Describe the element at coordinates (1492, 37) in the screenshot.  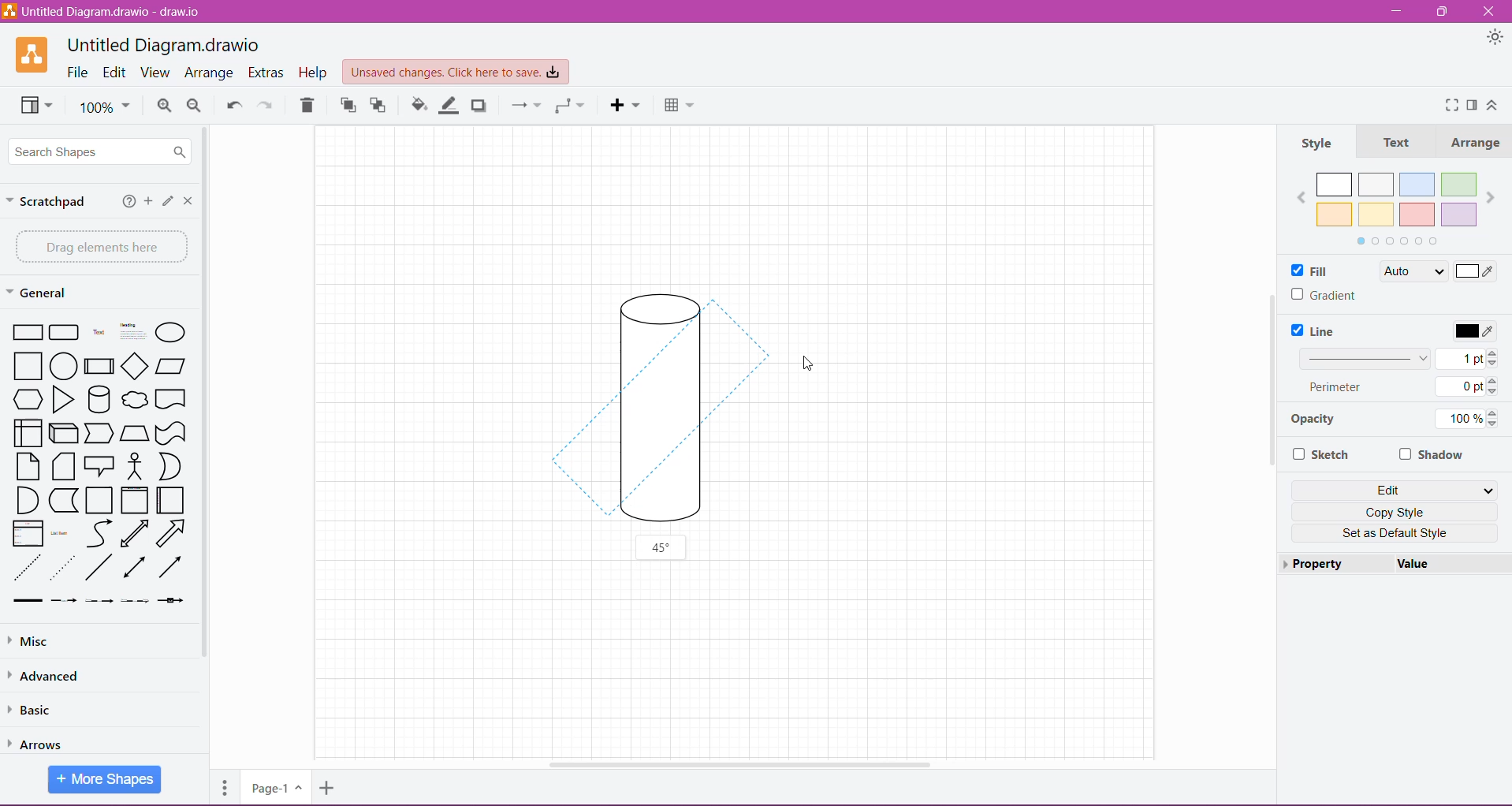
I see `Appearance` at that location.